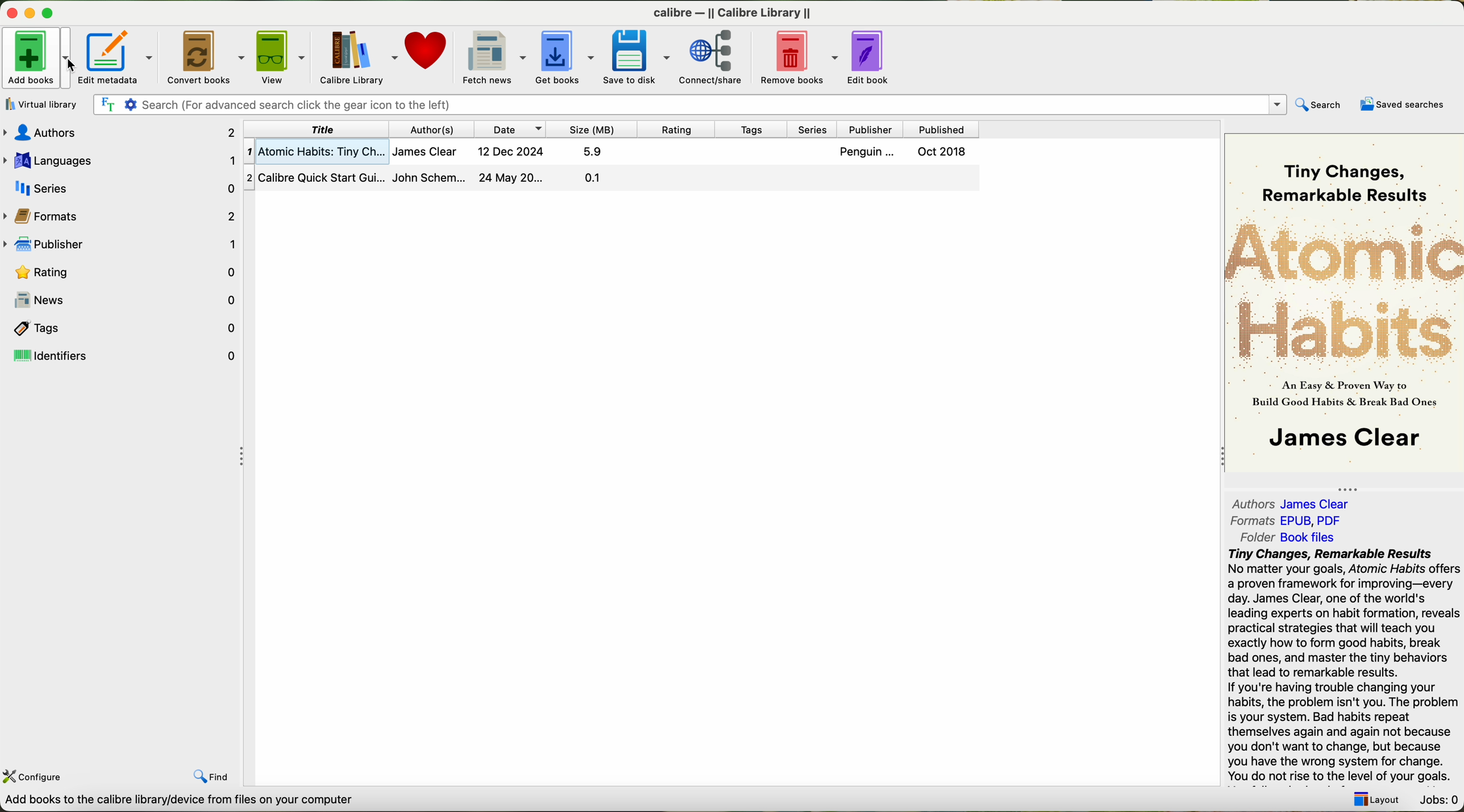  I want to click on size, so click(588, 129).